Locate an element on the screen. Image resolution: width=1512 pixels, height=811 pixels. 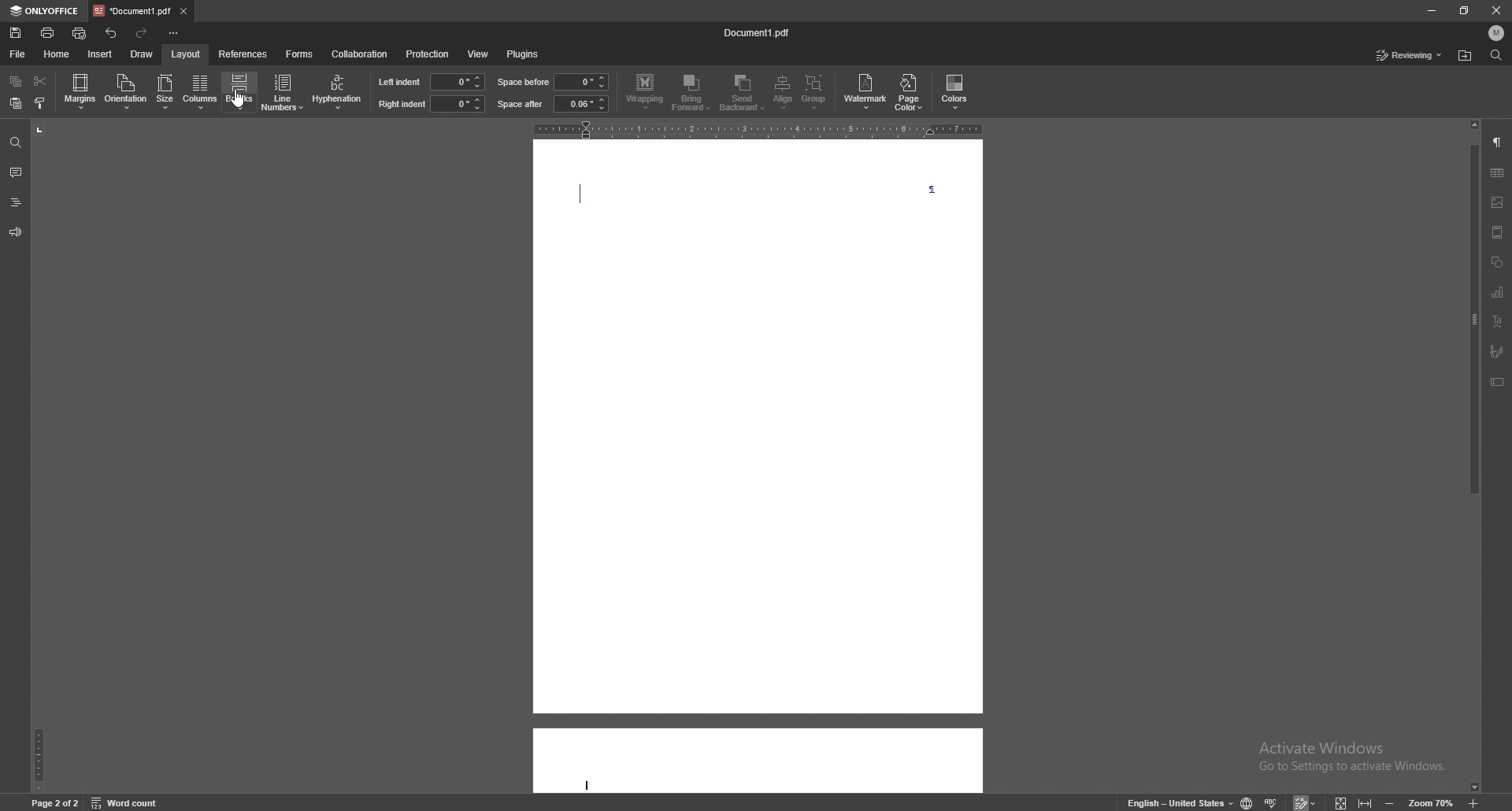
wrapping is located at coordinates (646, 92).